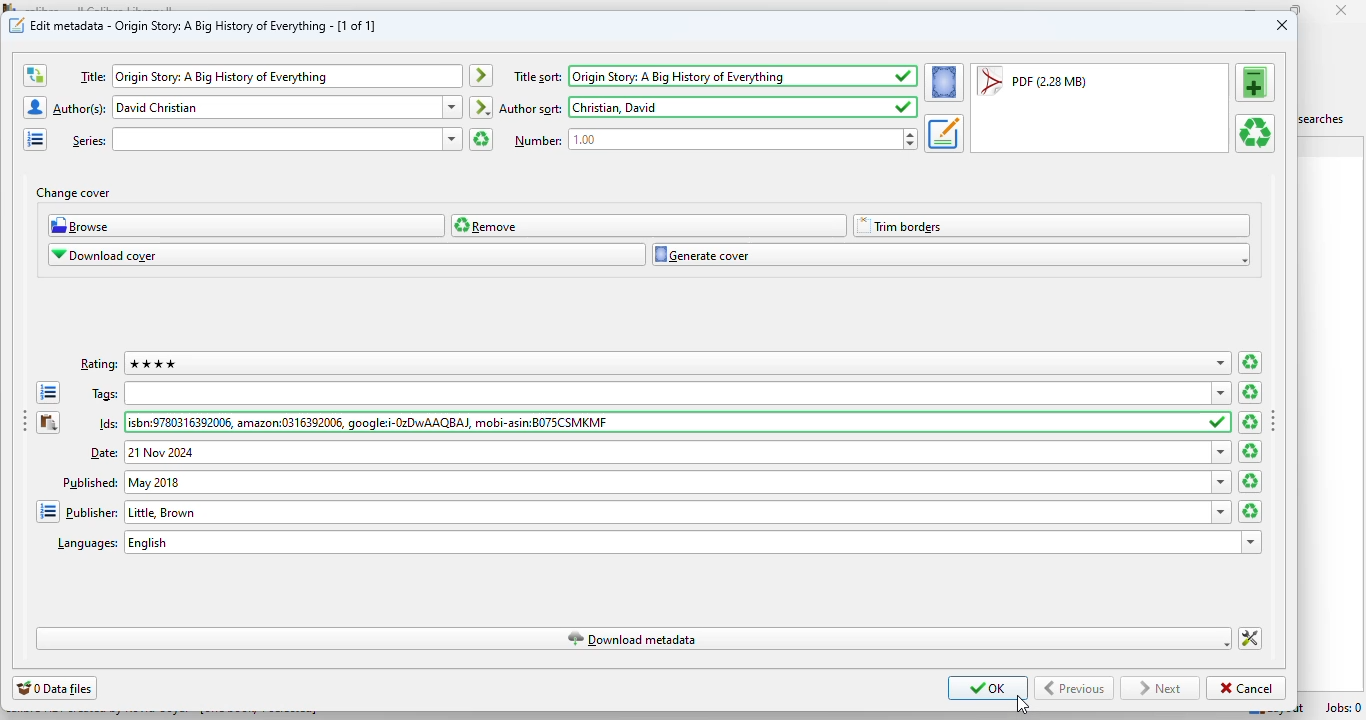  What do you see at coordinates (48, 392) in the screenshot?
I see `open the tag editor` at bounding box center [48, 392].